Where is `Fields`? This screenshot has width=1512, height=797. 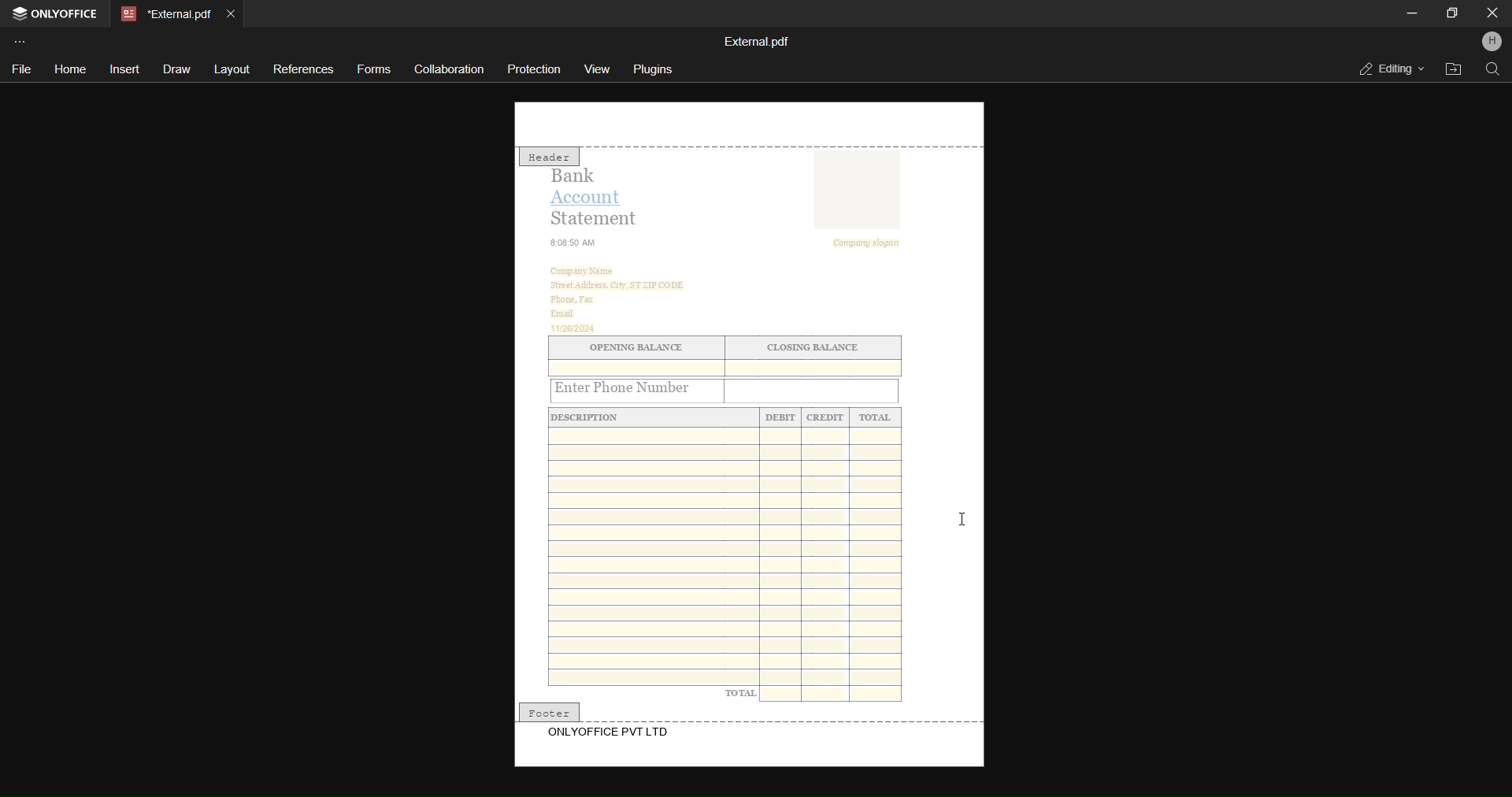 Fields is located at coordinates (835, 695).